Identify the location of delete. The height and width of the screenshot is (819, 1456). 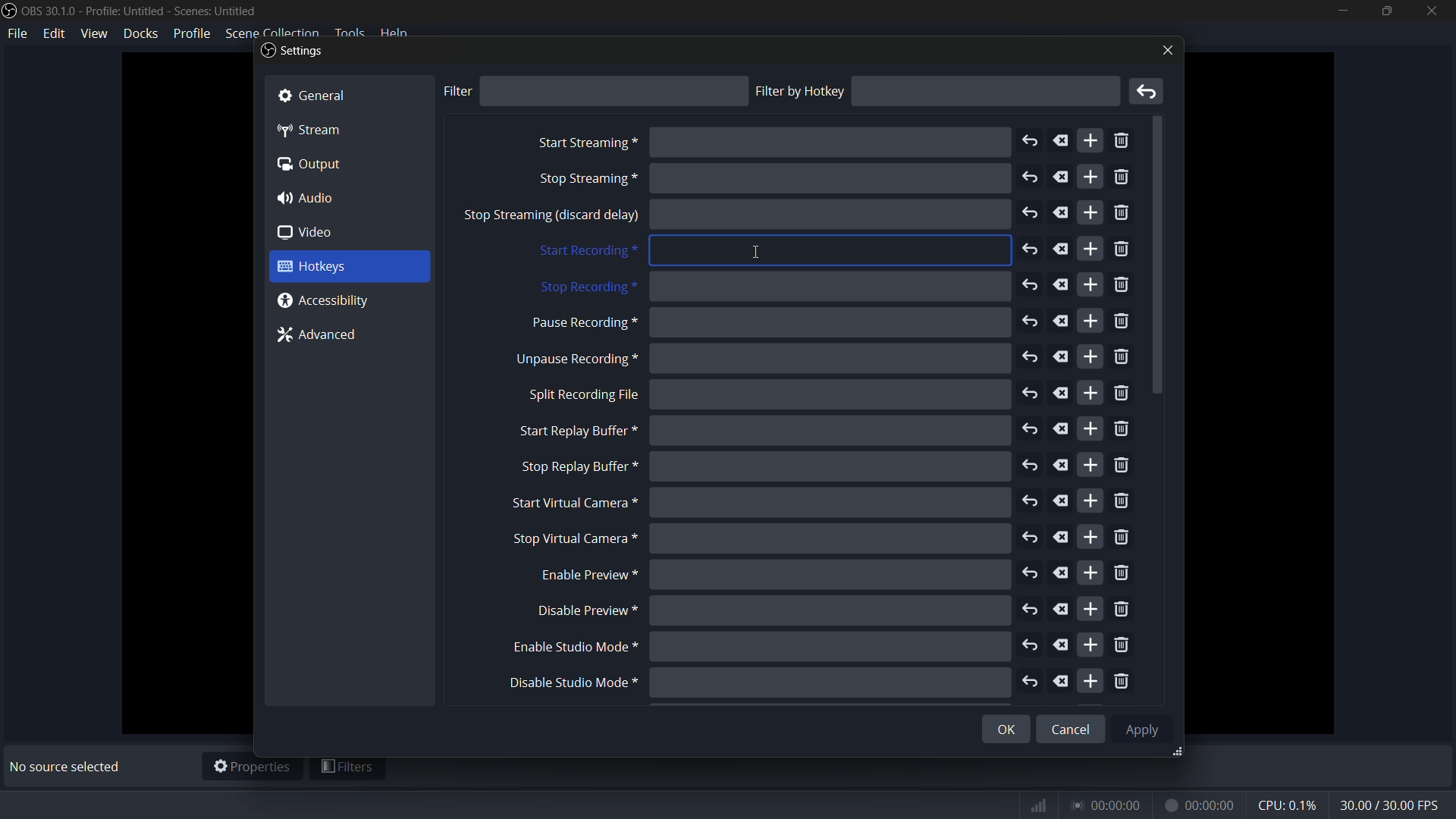
(1062, 215).